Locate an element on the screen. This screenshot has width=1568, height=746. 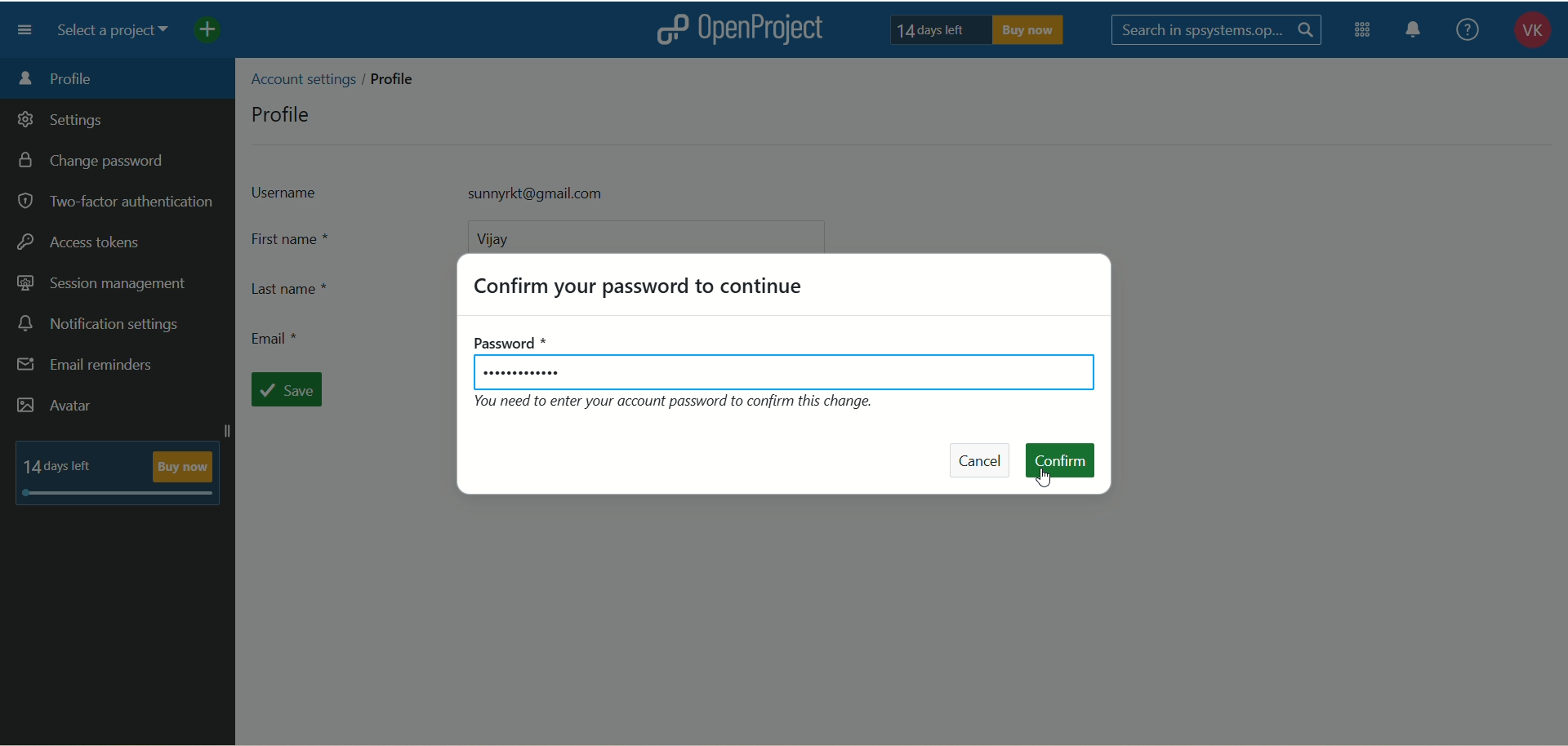
save is located at coordinates (291, 391).